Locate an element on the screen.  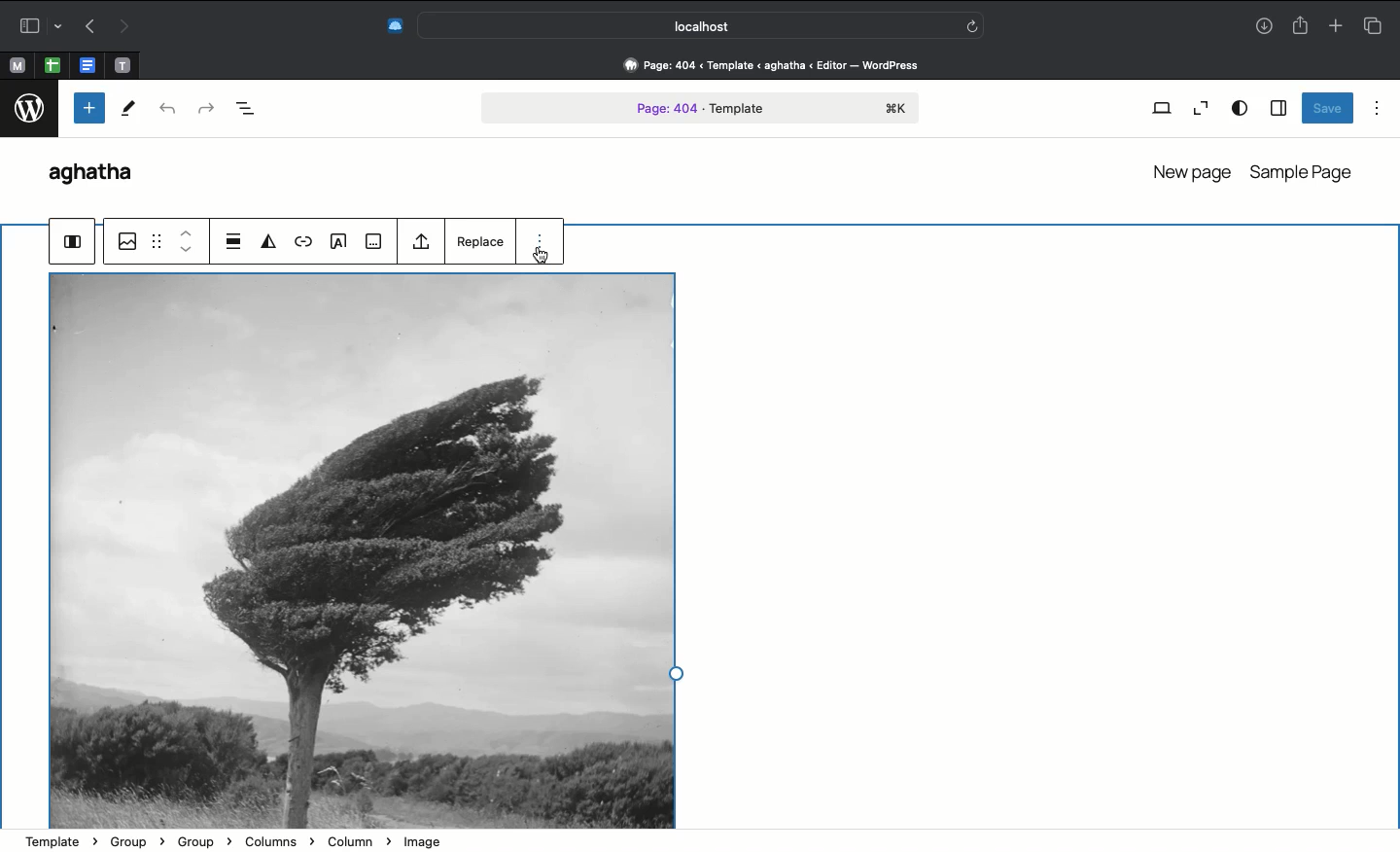
Downlaods is located at coordinates (1264, 28).